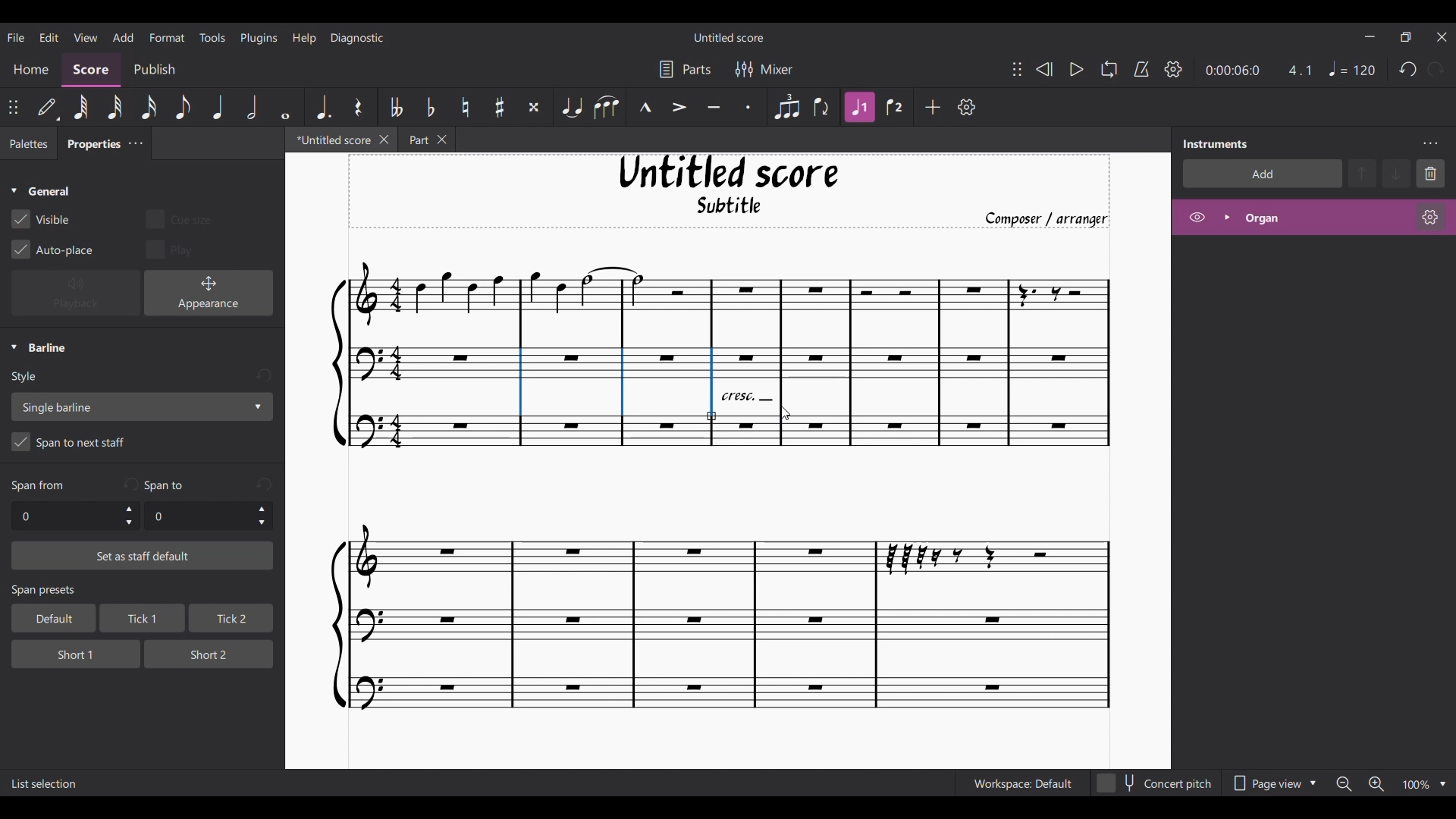 The height and width of the screenshot is (819, 1456). Describe the element at coordinates (1370, 36) in the screenshot. I see `Minimize` at that location.